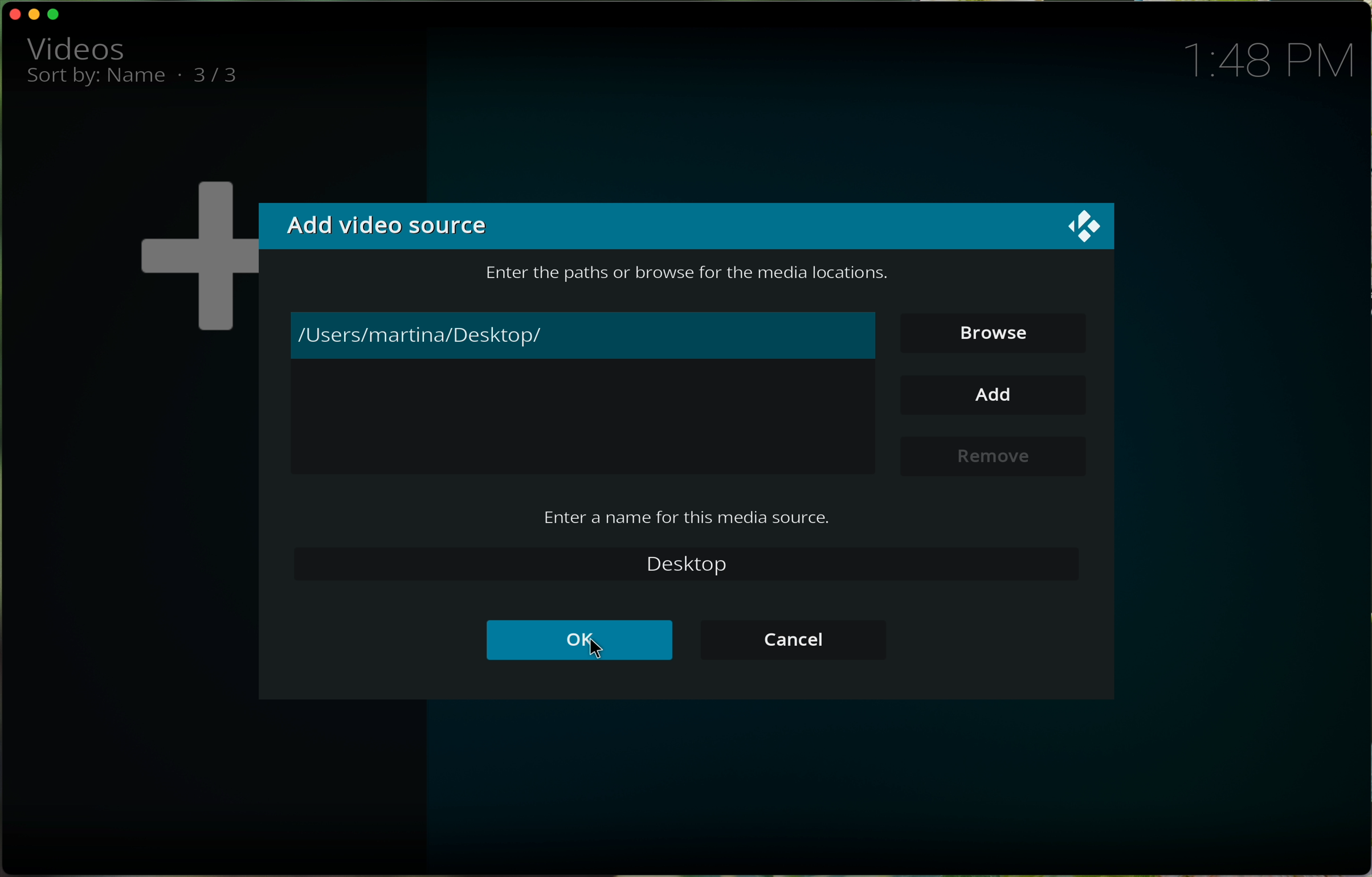  Describe the element at coordinates (1087, 229) in the screenshot. I see `logo` at that location.